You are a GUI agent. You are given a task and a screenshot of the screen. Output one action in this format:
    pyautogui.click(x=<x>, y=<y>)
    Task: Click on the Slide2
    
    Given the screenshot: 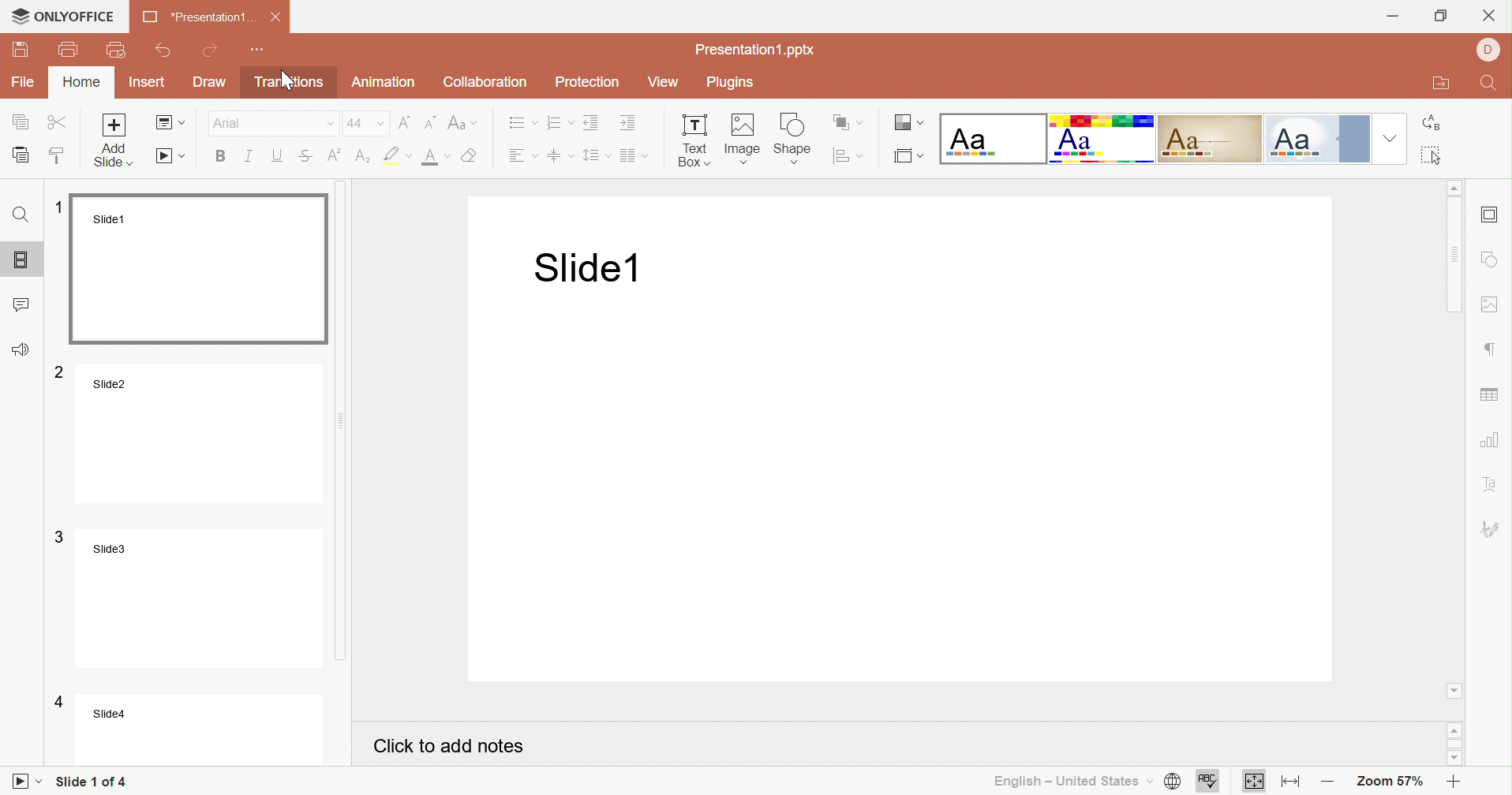 What is the action you would take?
    pyautogui.click(x=188, y=433)
    